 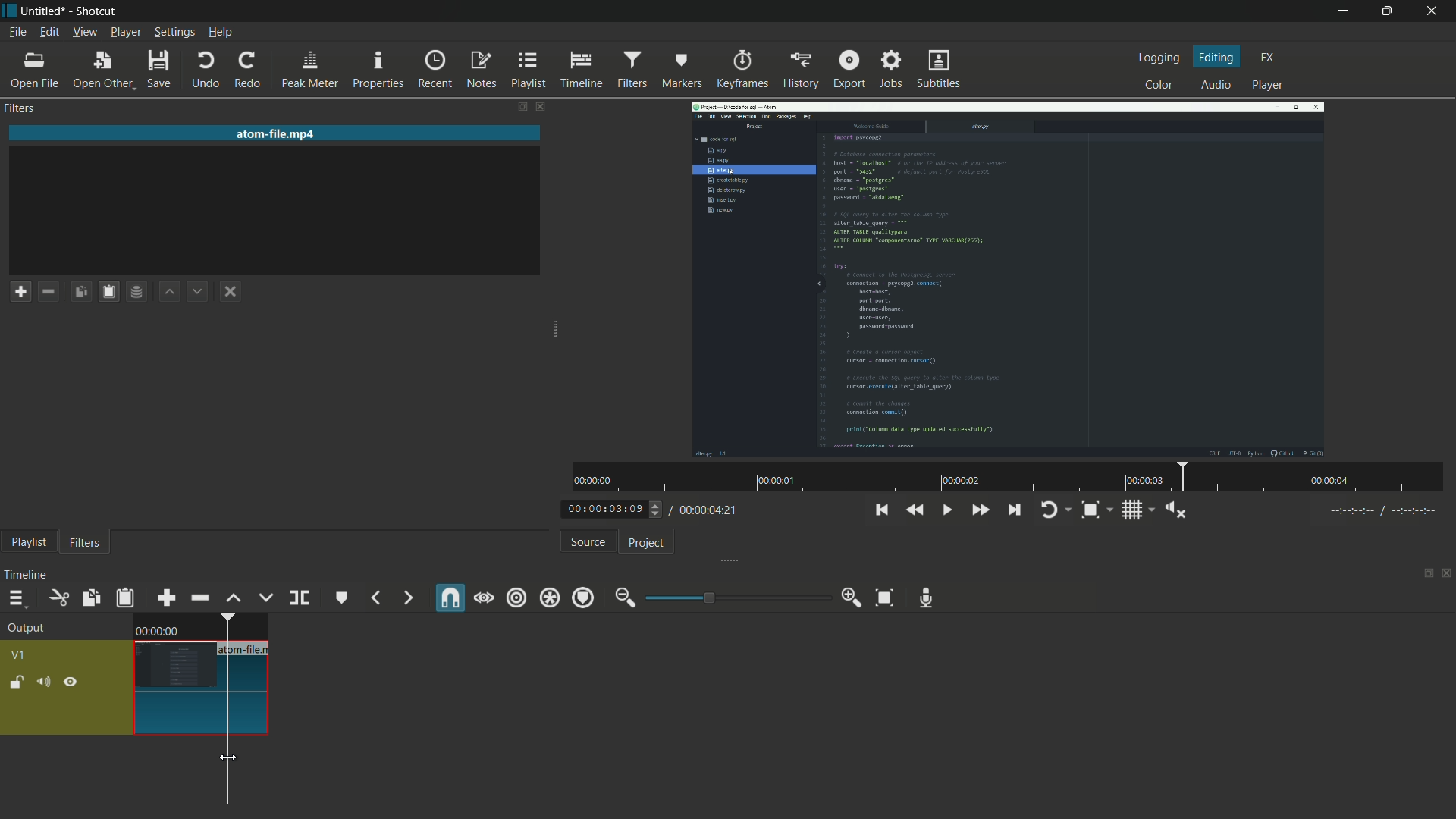 I want to click on change layout, so click(x=1427, y=573).